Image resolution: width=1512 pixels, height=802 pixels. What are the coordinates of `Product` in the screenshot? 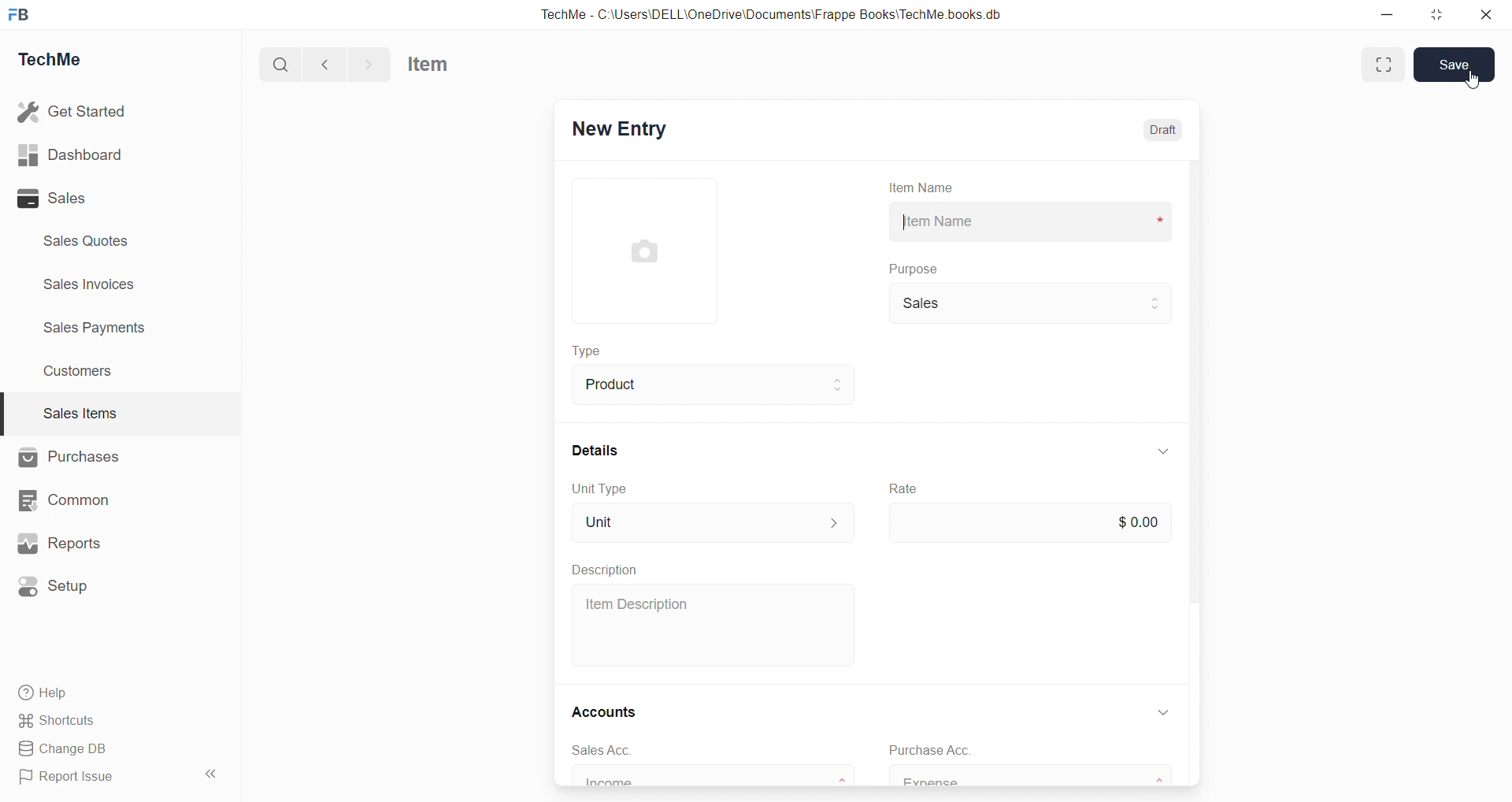 It's located at (712, 385).